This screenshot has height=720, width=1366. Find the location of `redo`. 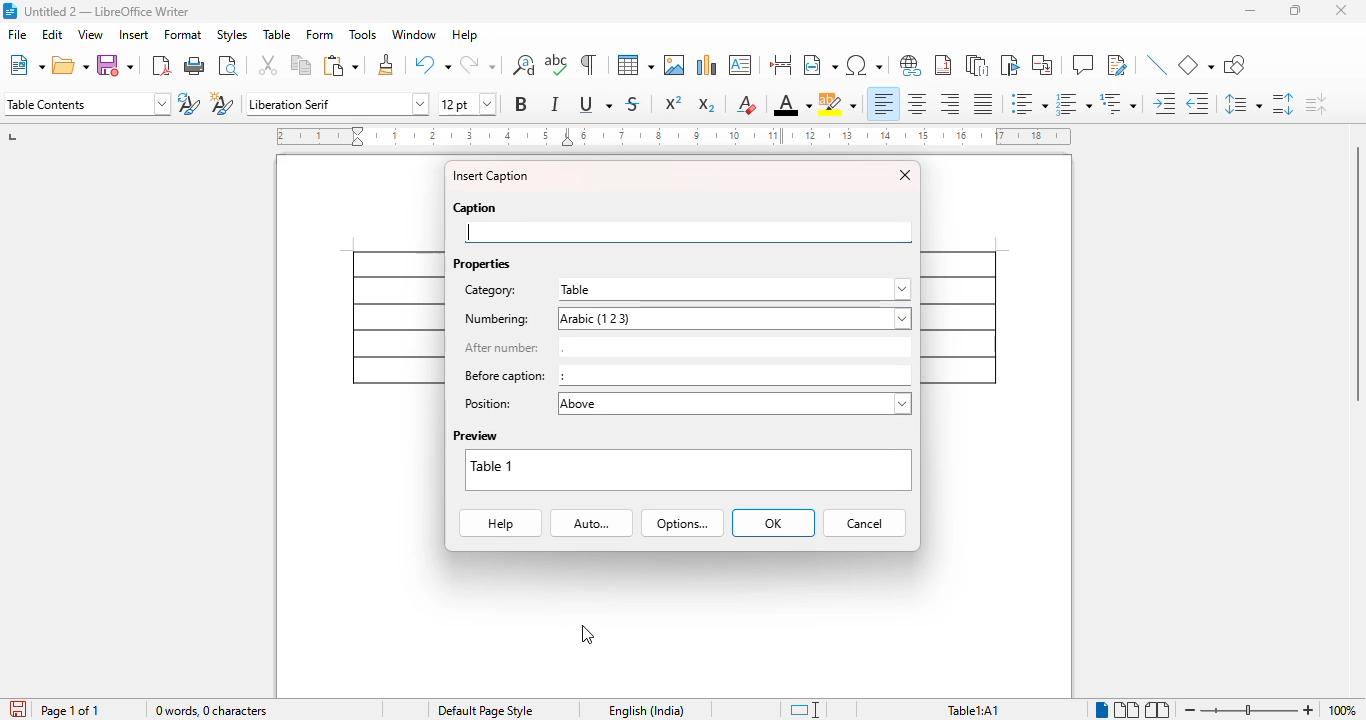

redo is located at coordinates (477, 64).